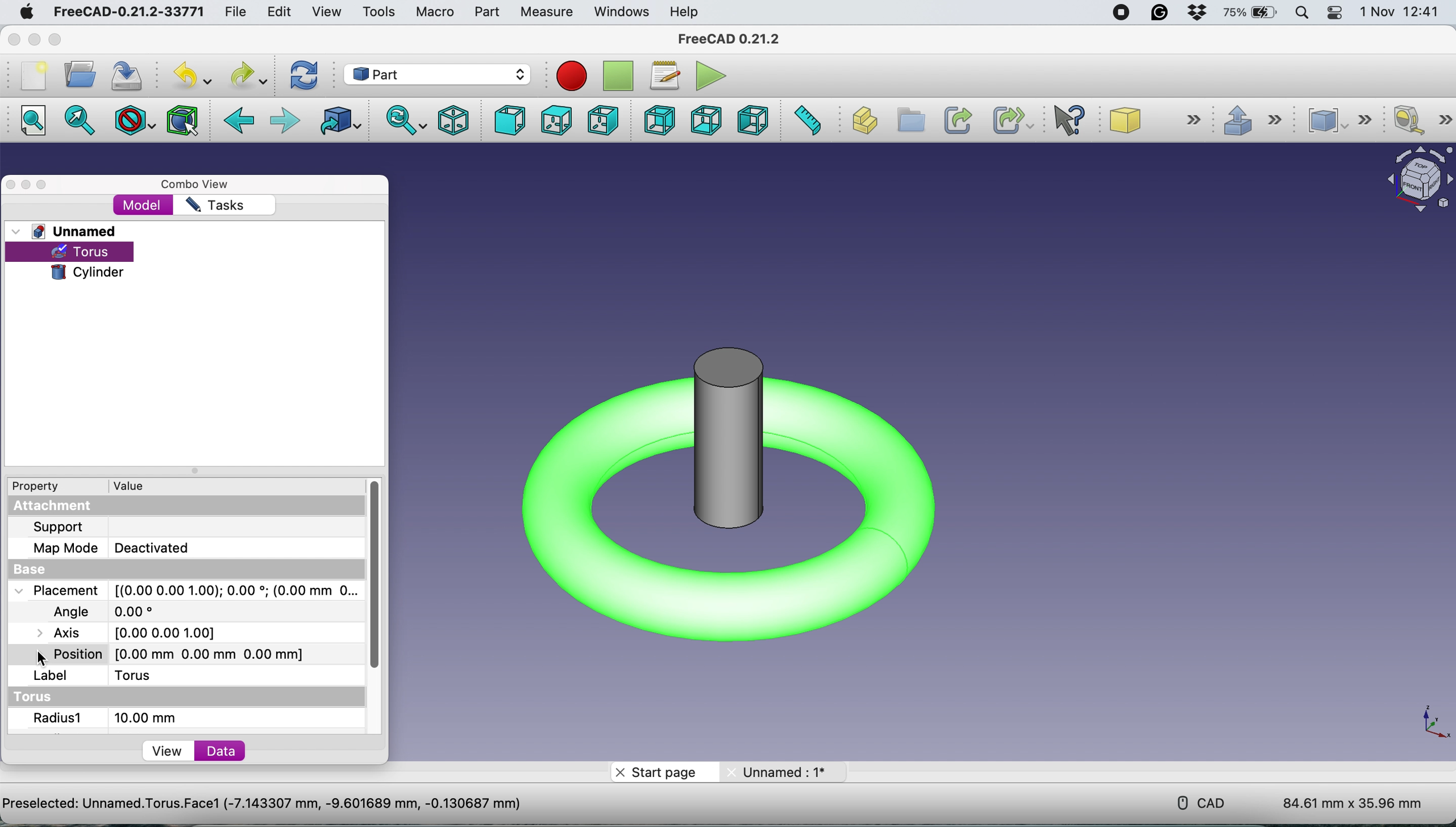 The image size is (1456, 827). What do you see at coordinates (12, 183) in the screenshot?
I see `close` at bounding box center [12, 183].